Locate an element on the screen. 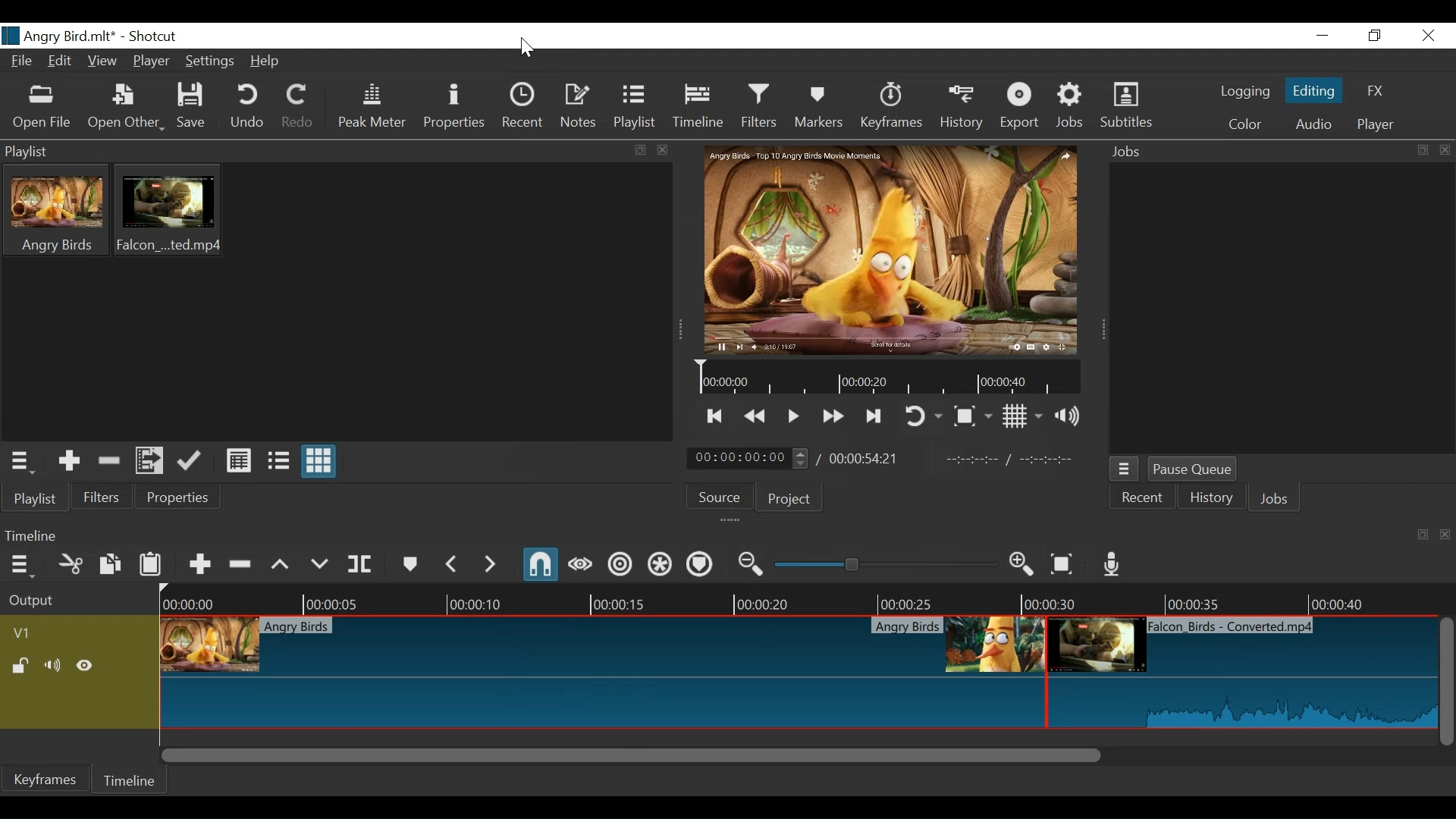 The width and height of the screenshot is (1456, 819). Overwrite is located at coordinates (321, 565).